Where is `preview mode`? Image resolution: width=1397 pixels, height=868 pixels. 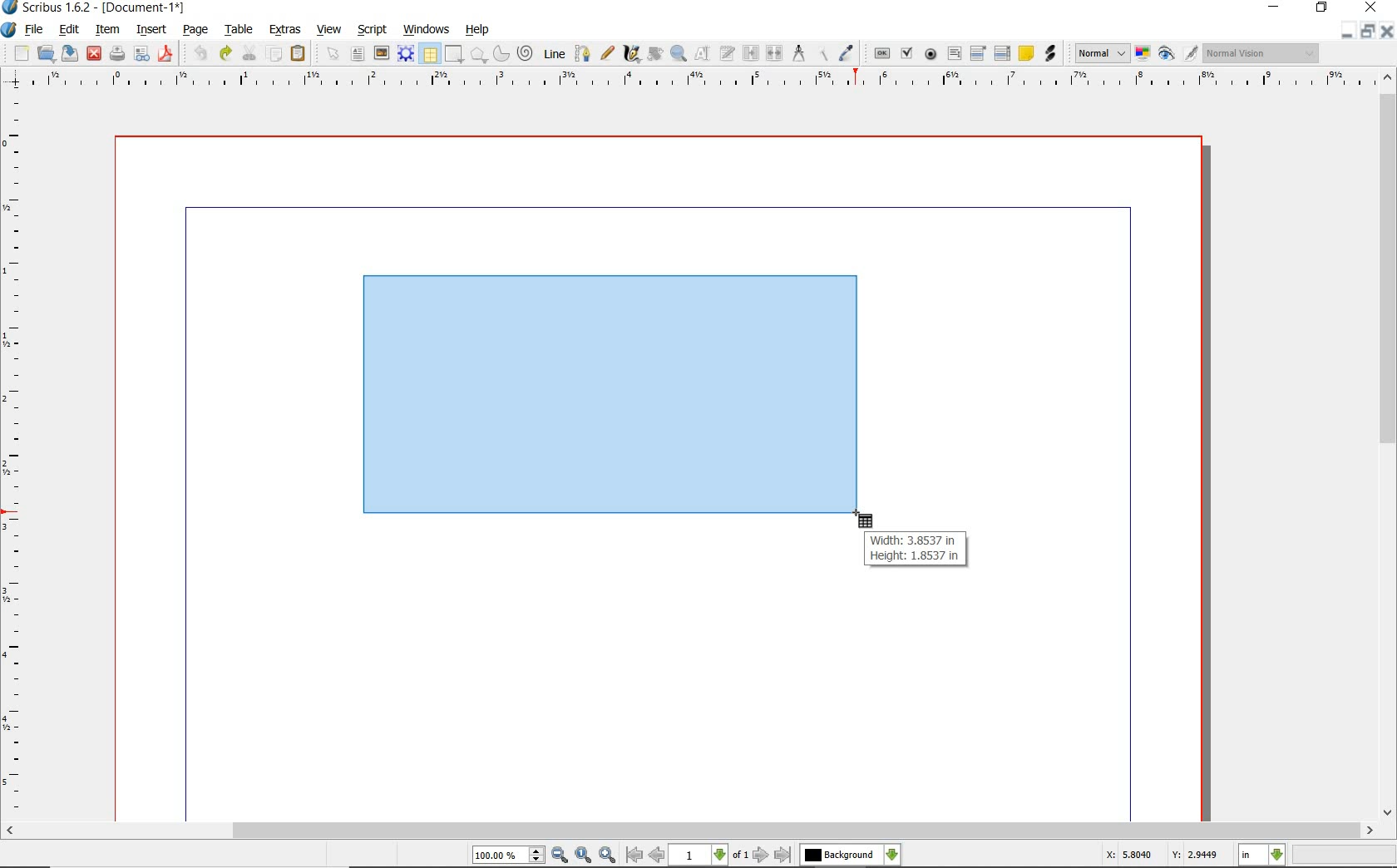
preview mode is located at coordinates (1167, 55).